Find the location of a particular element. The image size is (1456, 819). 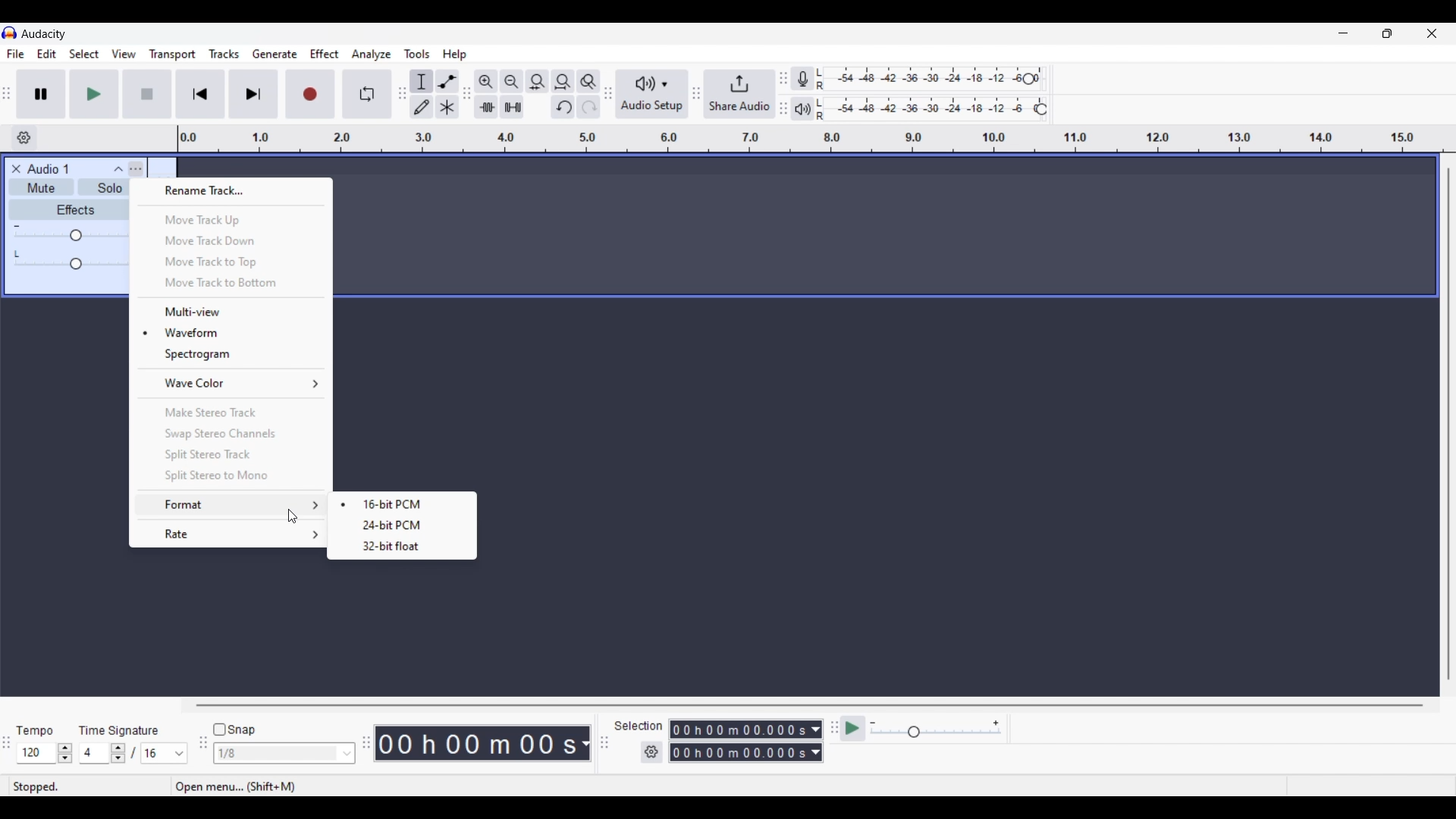

Increase playback speed to maximum  is located at coordinates (996, 723).